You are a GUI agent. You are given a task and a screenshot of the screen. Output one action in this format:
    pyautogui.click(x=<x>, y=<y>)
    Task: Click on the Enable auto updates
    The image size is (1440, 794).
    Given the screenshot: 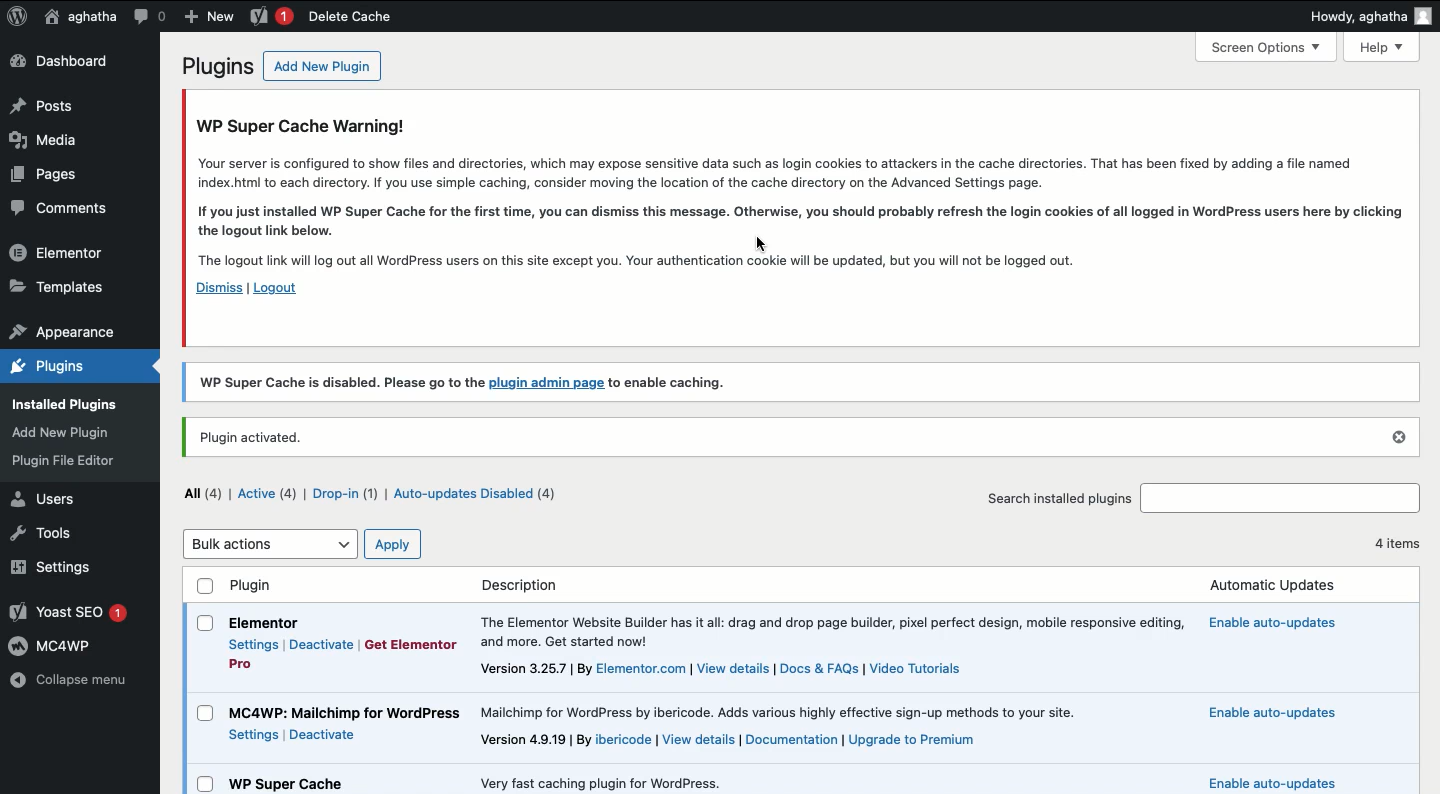 What is the action you would take?
    pyautogui.click(x=1270, y=715)
    